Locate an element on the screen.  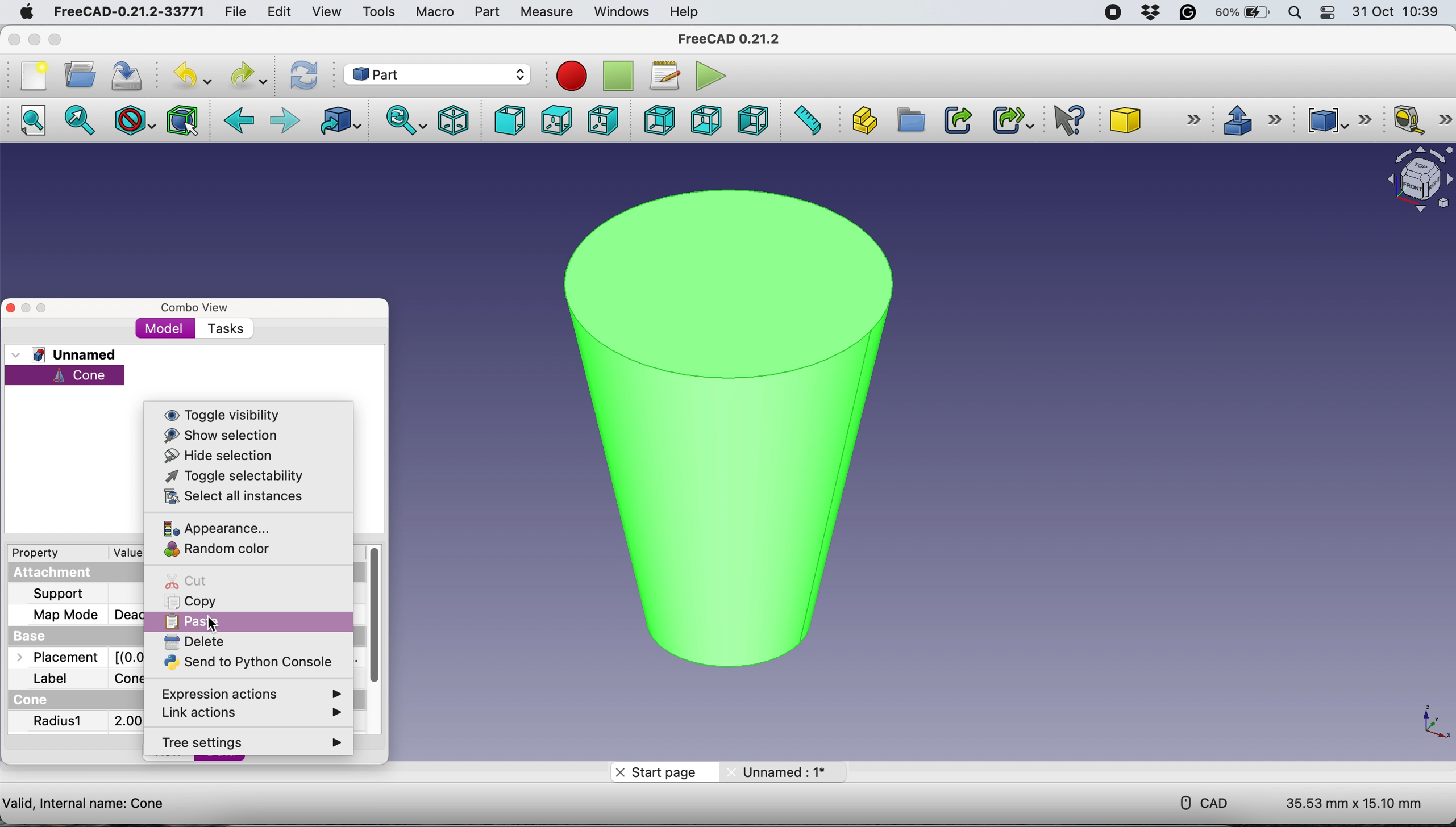
spotlight search is located at coordinates (1295, 12).